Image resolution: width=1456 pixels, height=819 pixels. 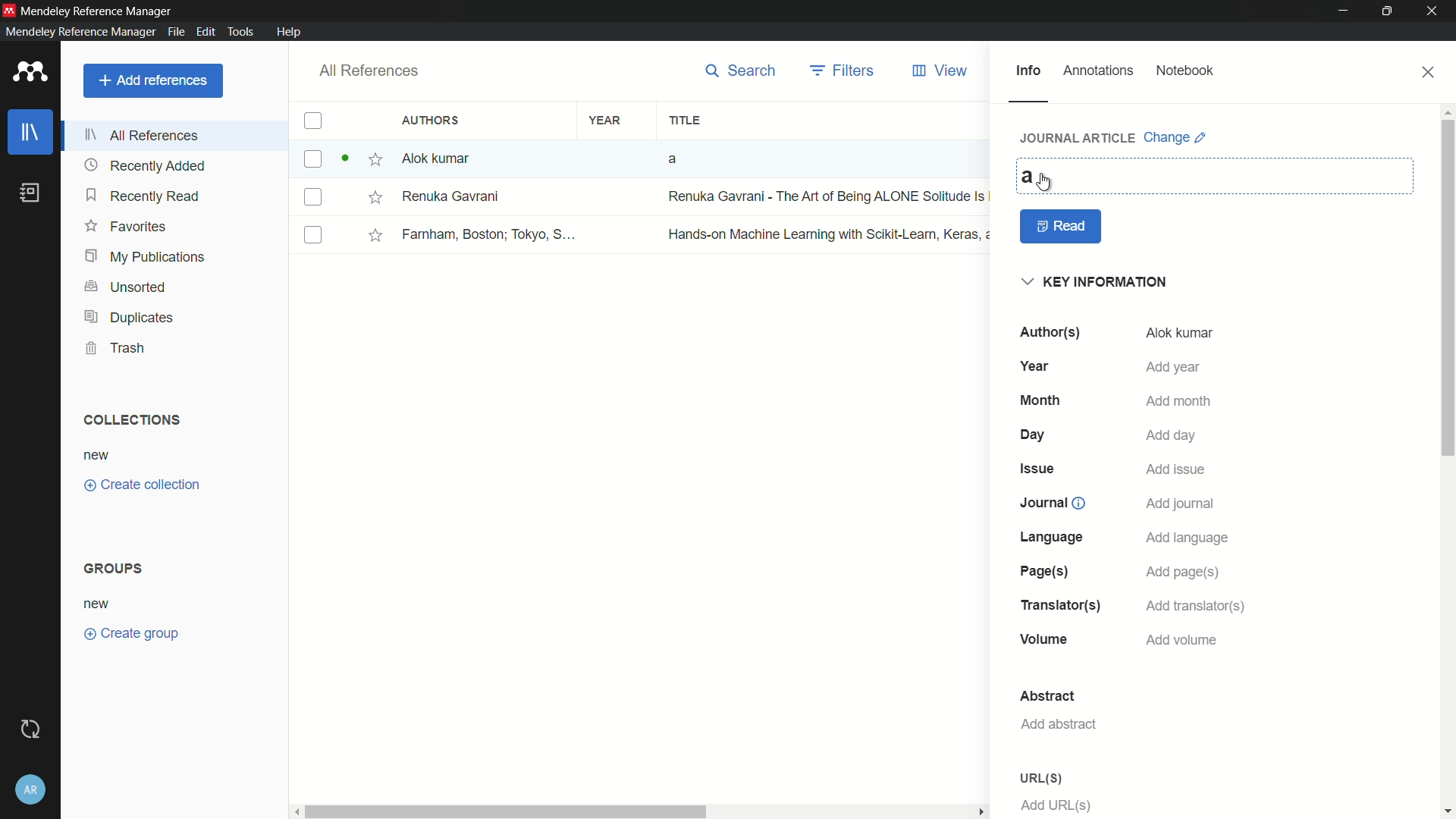 I want to click on create group, so click(x=130, y=632).